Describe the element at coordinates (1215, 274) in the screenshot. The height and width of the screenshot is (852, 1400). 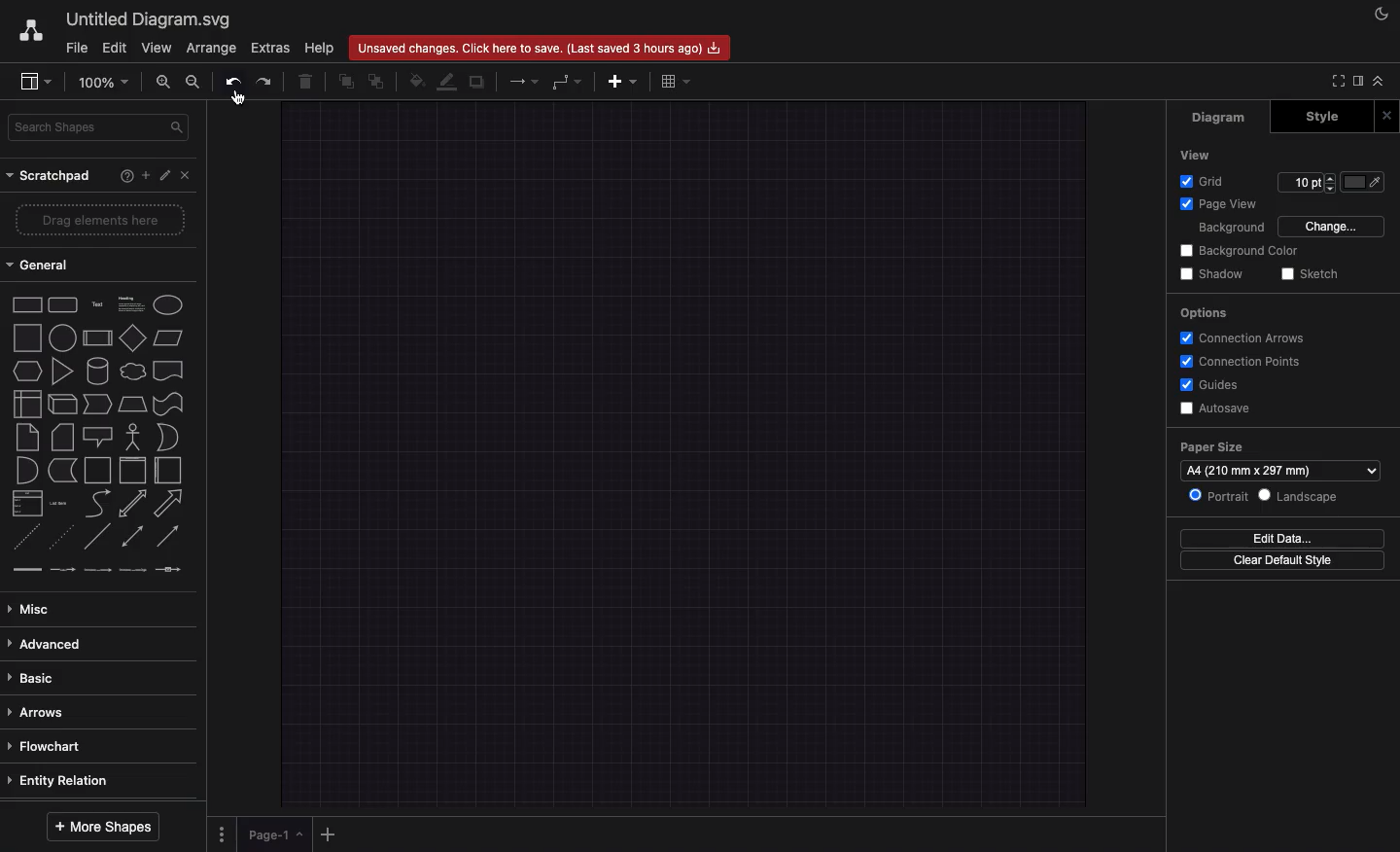
I see `Shadow` at that location.